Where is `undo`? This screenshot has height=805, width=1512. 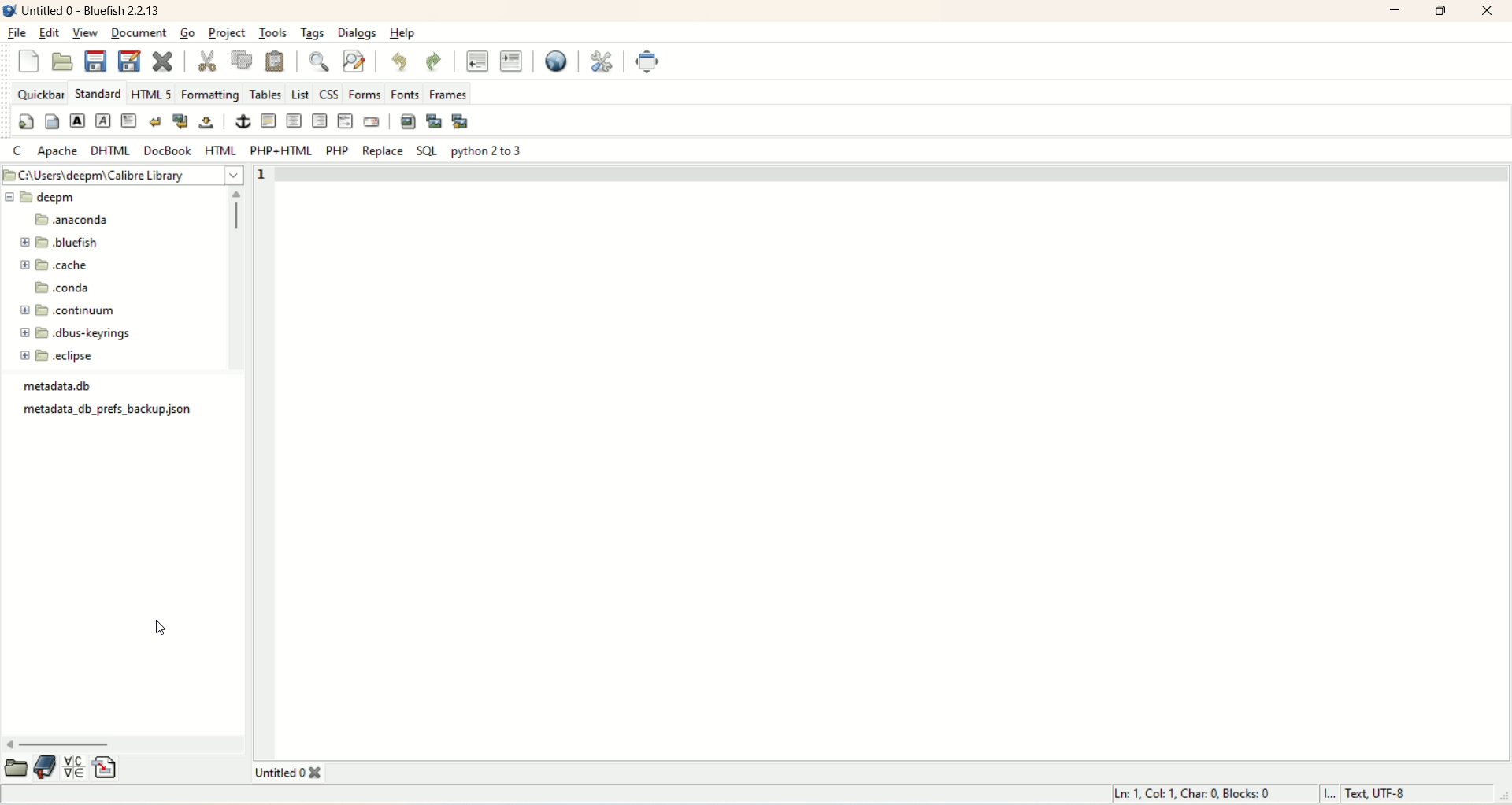
undo is located at coordinates (398, 63).